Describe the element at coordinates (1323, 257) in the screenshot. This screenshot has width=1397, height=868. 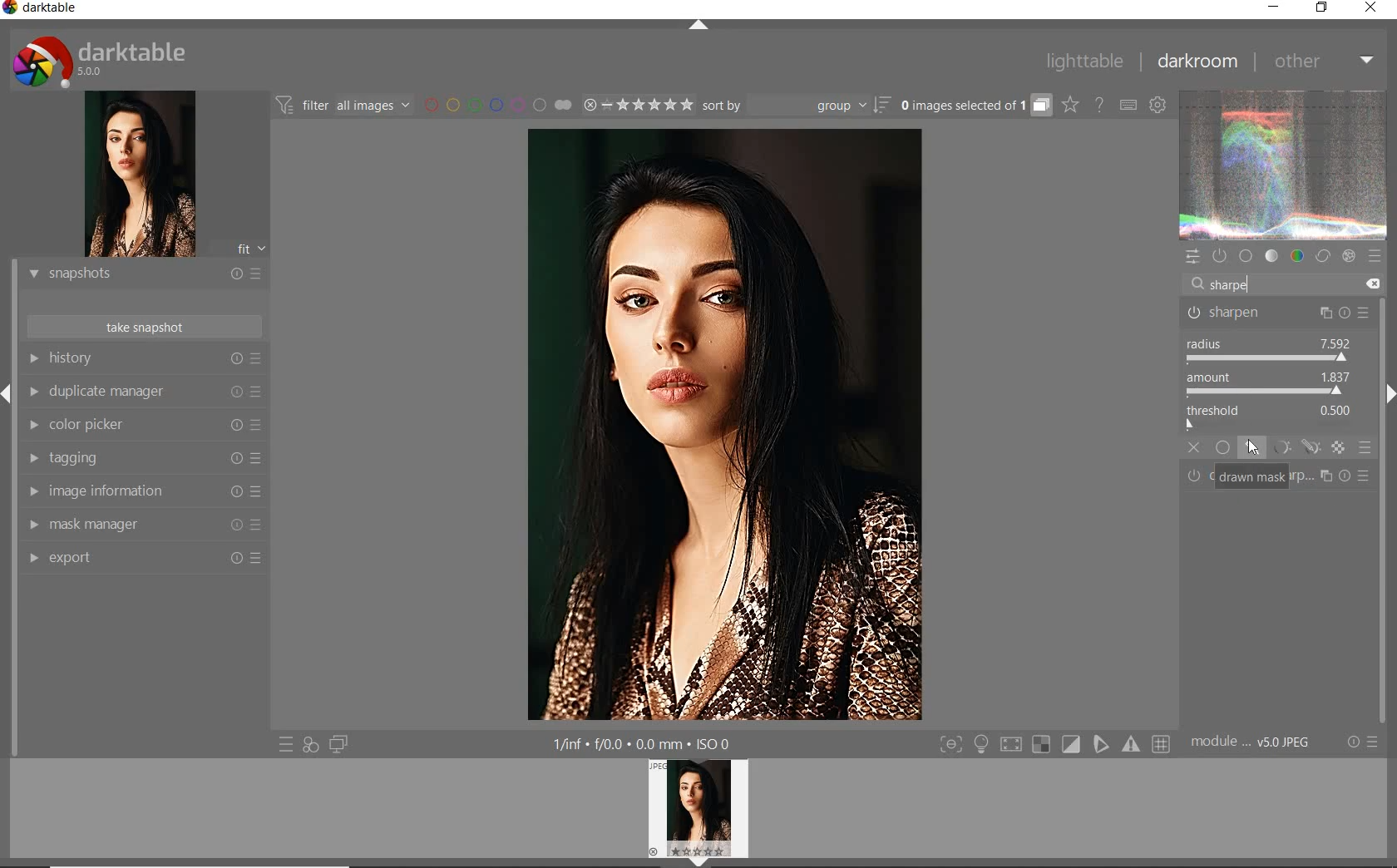
I see `correct` at that location.